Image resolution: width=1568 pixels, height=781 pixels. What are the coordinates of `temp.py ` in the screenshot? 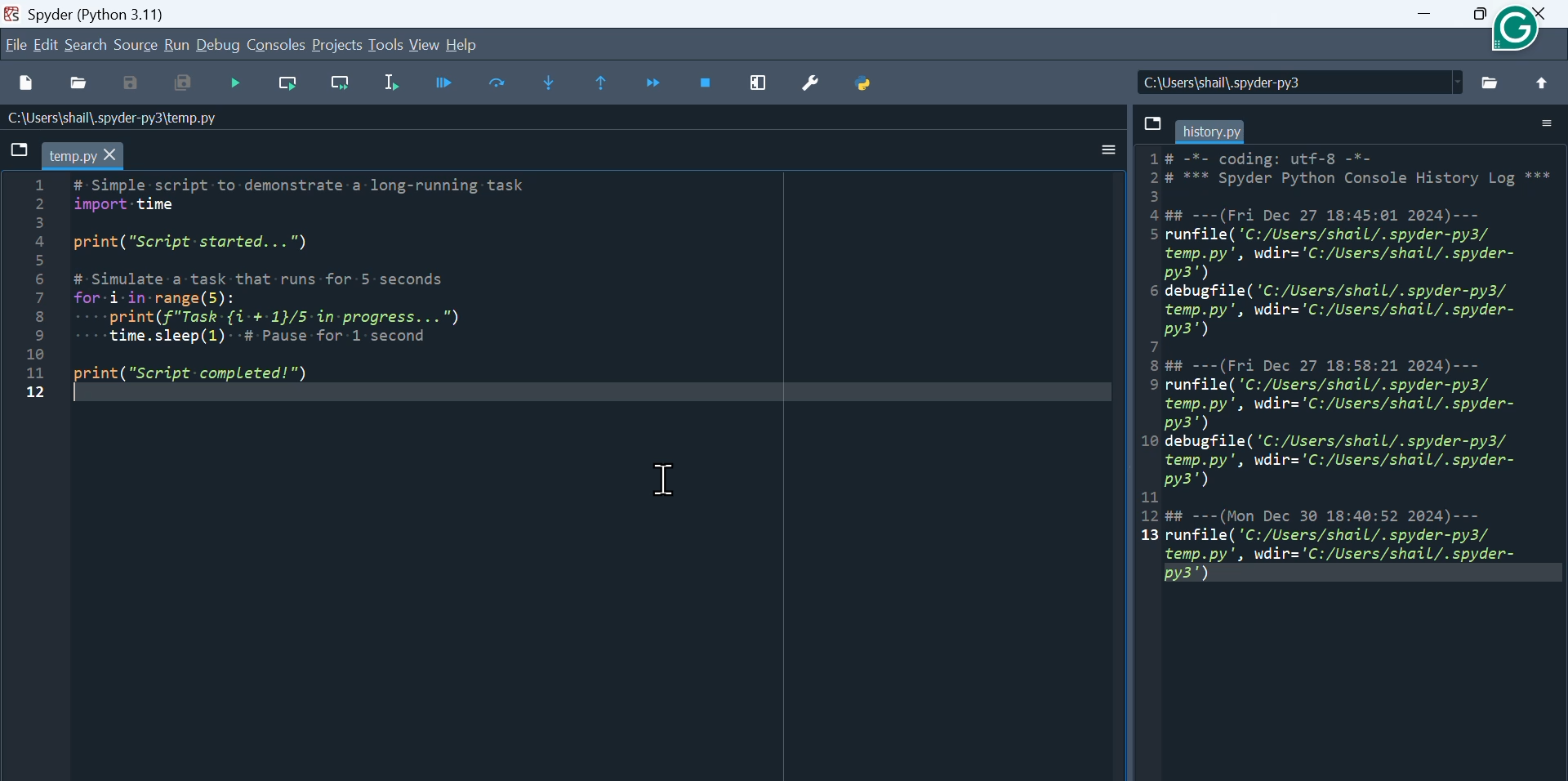 It's located at (88, 155).